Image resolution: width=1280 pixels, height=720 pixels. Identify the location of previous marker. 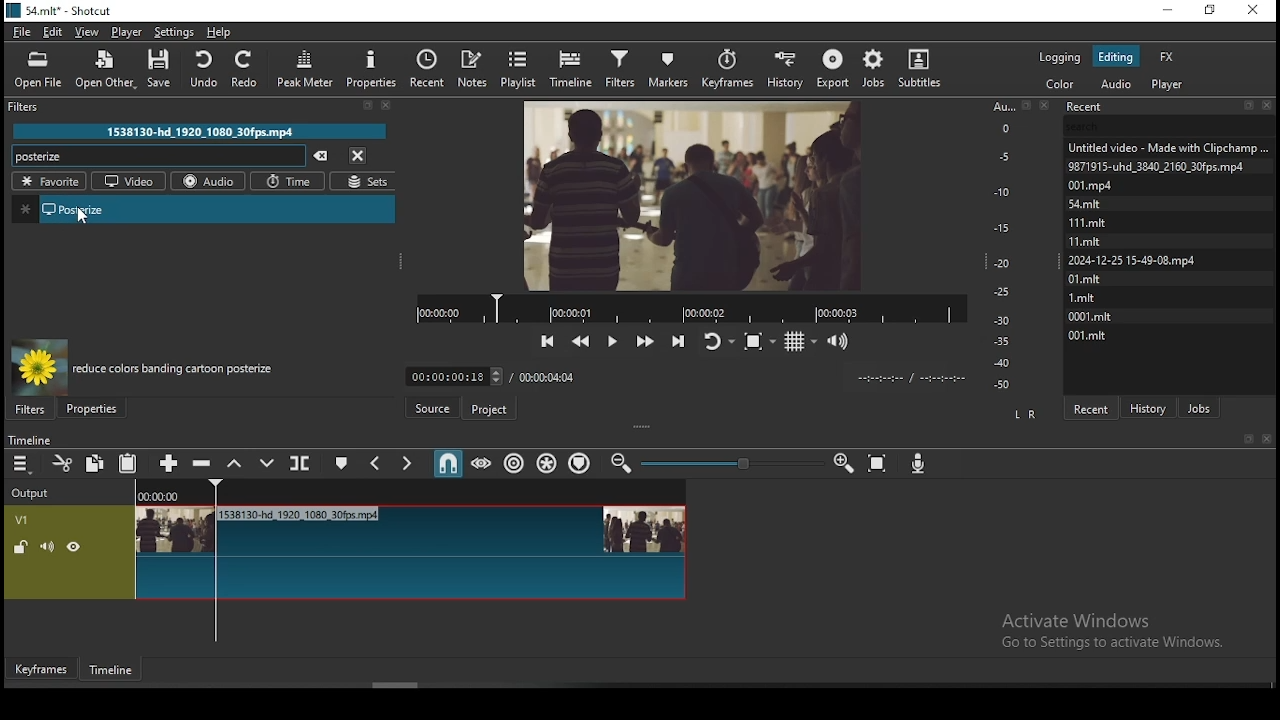
(375, 463).